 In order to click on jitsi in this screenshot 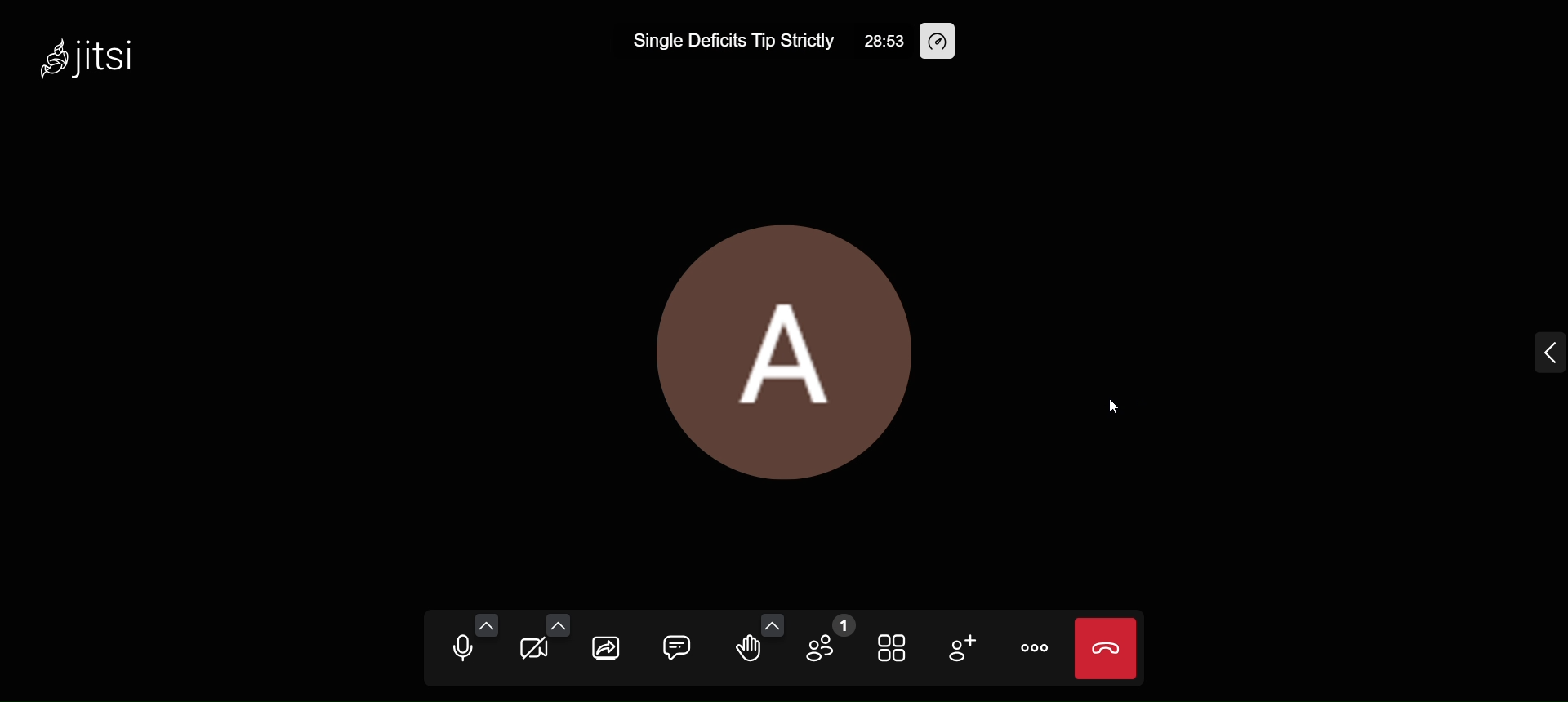, I will do `click(95, 52)`.